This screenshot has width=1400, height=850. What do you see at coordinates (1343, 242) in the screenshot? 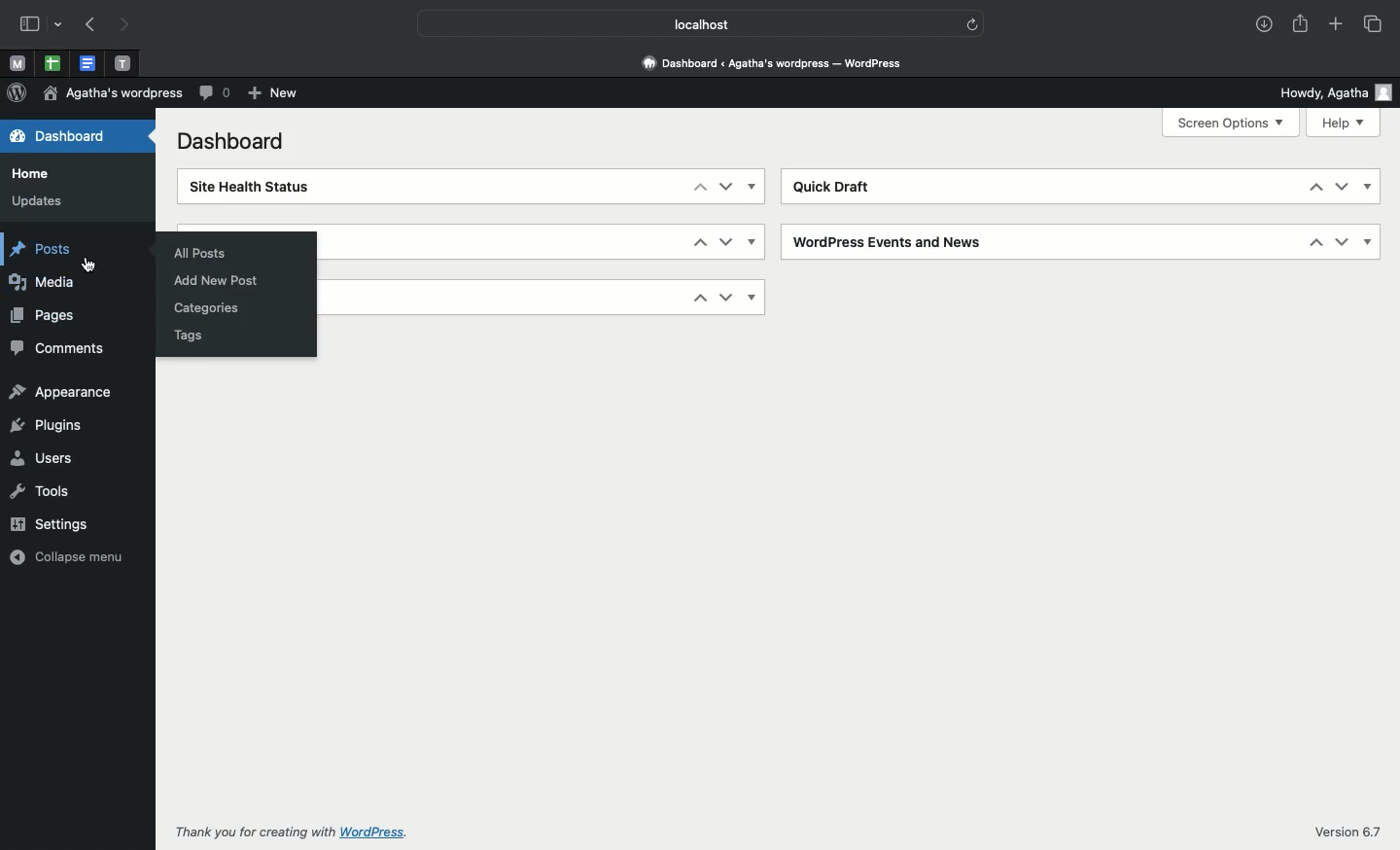
I see `Down` at bounding box center [1343, 242].